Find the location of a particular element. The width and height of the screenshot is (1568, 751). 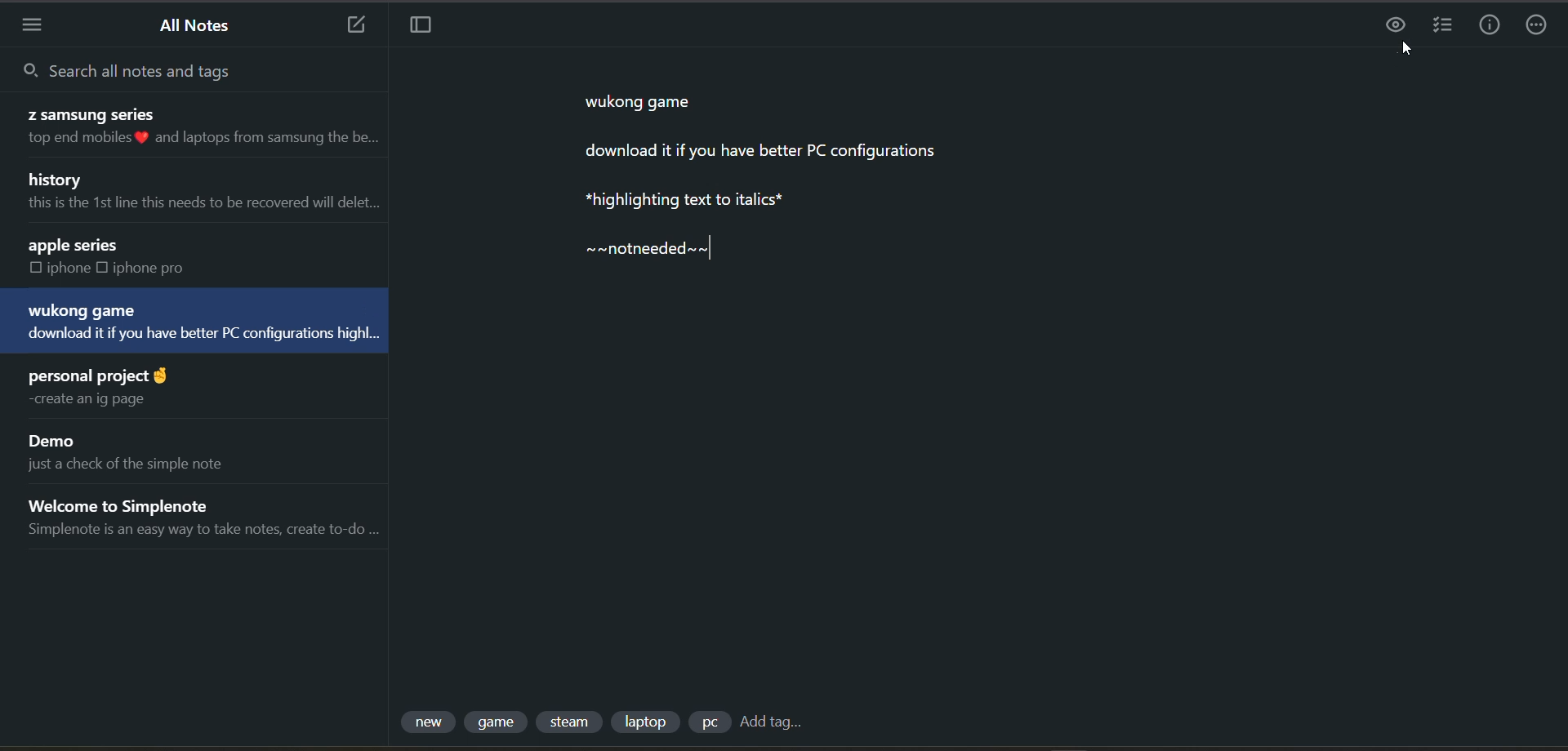

insert checklist is located at coordinates (1443, 28).